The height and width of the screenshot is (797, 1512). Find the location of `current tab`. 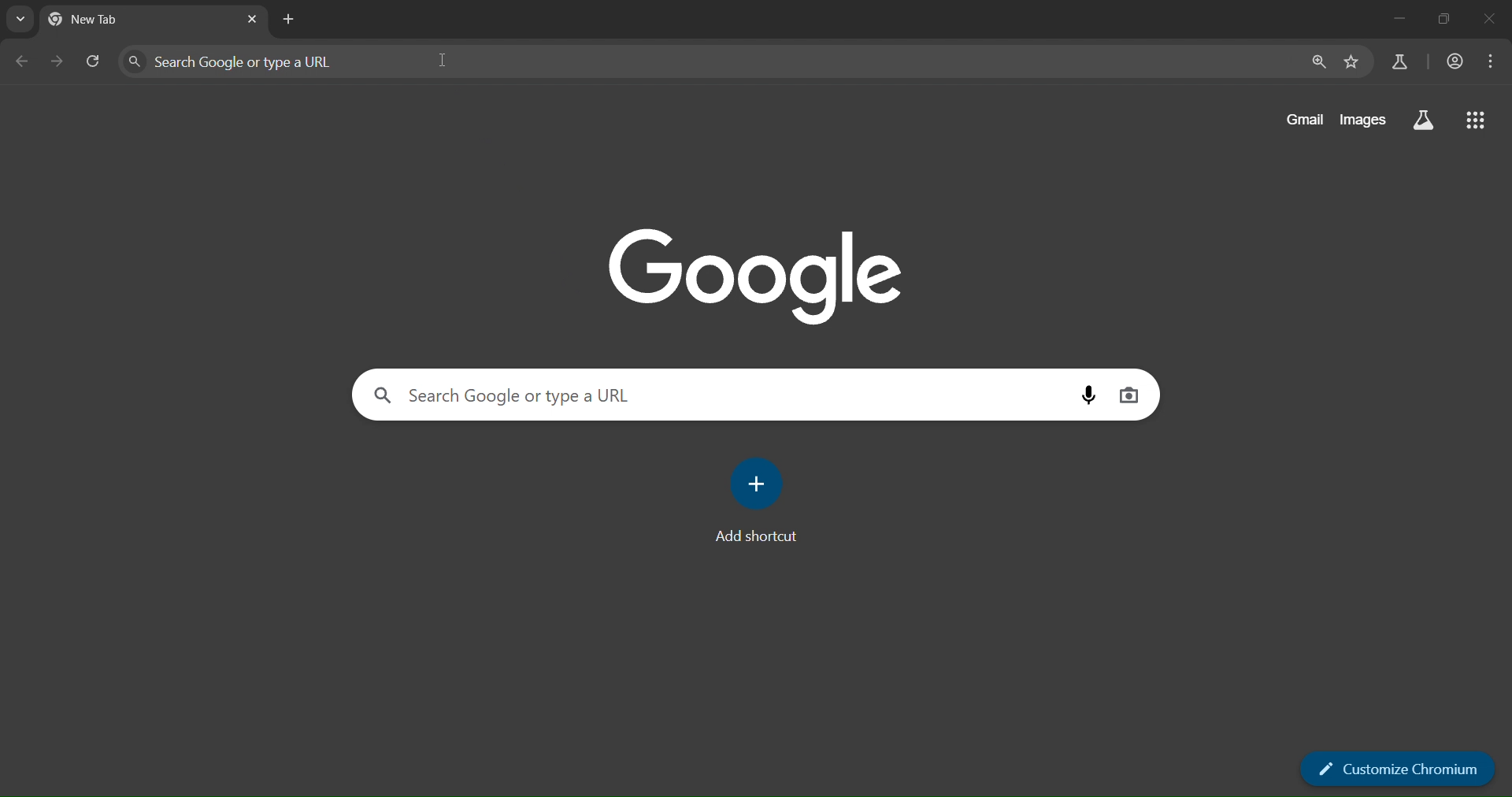

current tab is located at coordinates (110, 19).